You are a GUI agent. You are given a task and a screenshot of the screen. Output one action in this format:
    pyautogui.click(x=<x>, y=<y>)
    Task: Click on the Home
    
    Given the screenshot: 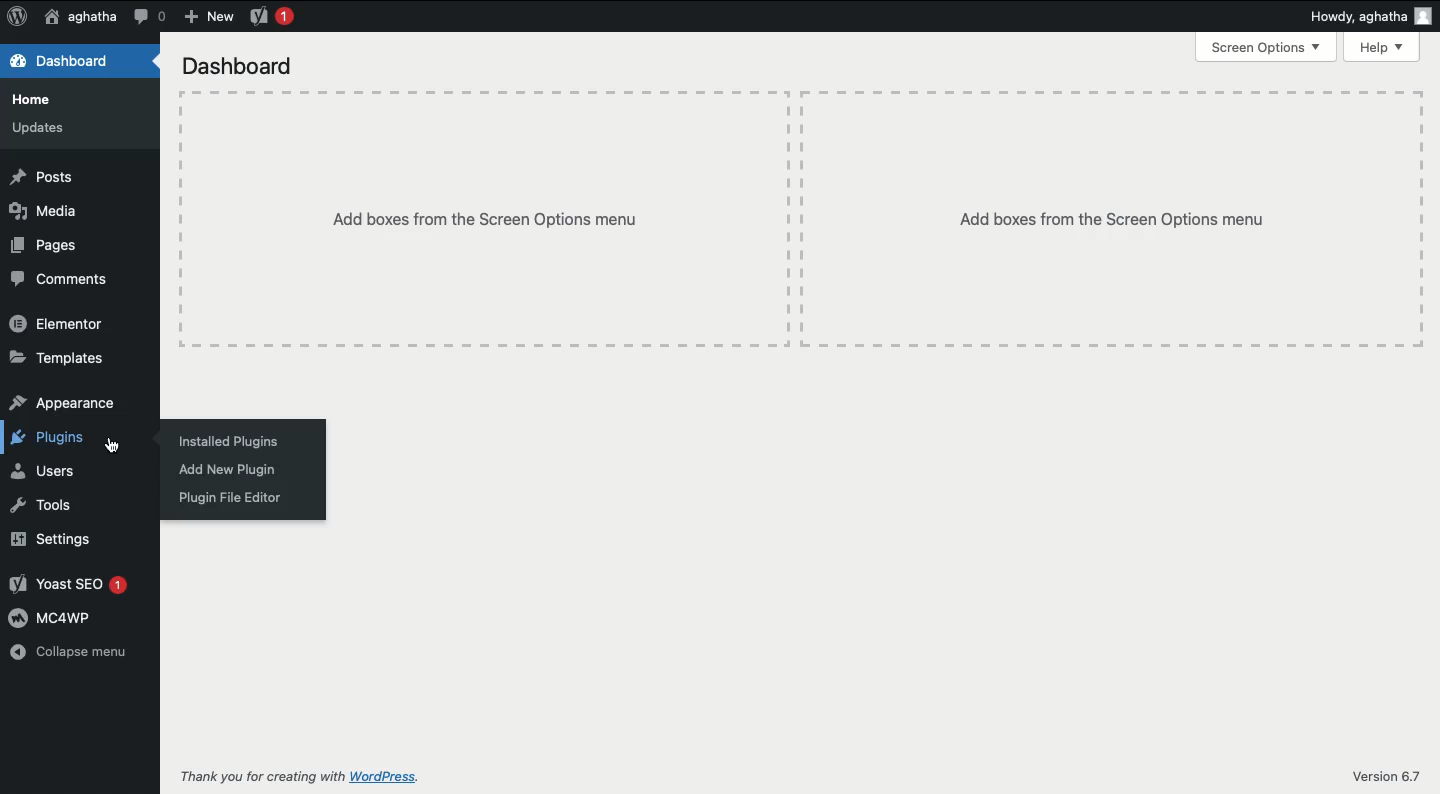 What is the action you would take?
    pyautogui.click(x=36, y=99)
    